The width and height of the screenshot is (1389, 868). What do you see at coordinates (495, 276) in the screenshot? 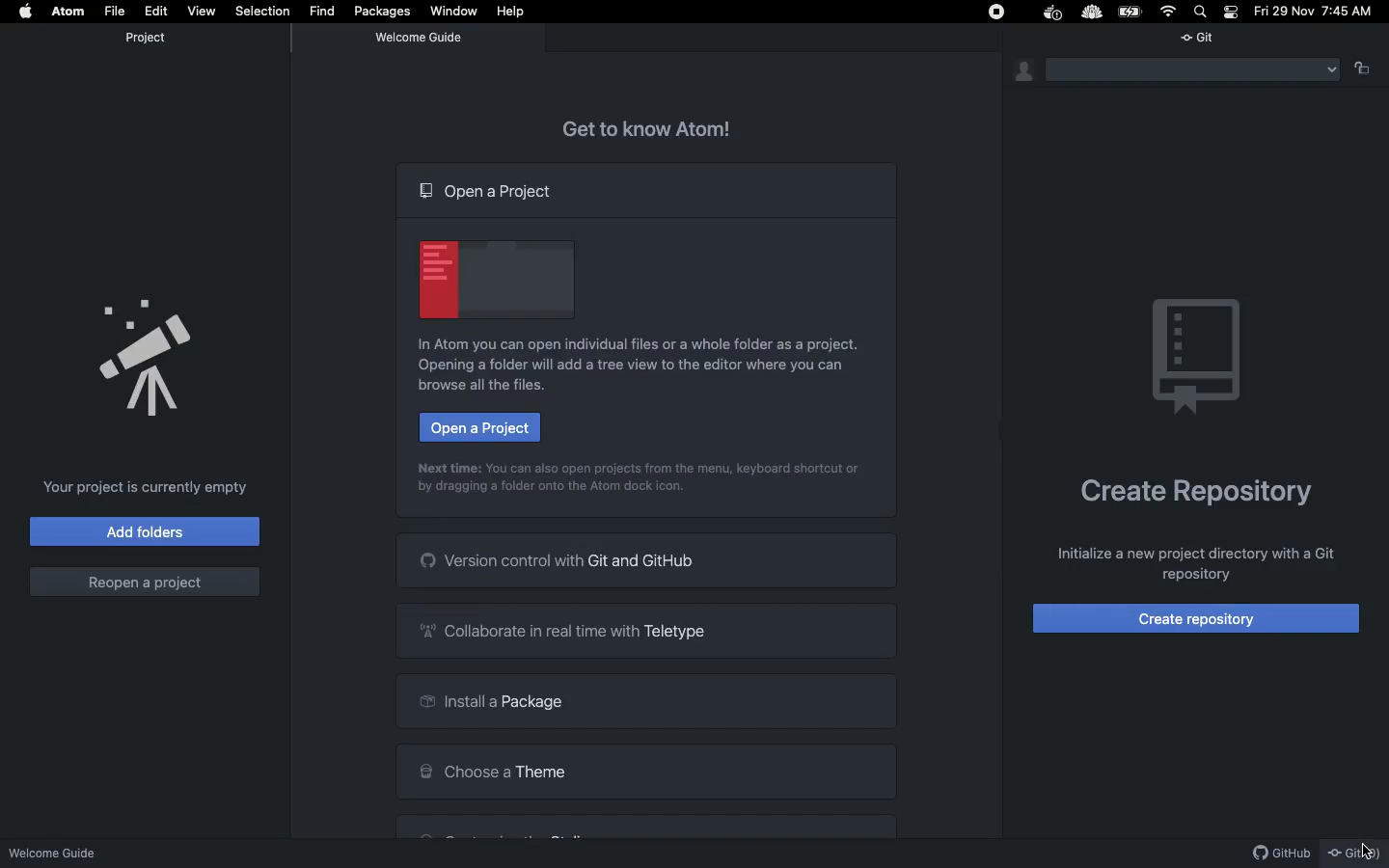
I see `Emblem` at bounding box center [495, 276].